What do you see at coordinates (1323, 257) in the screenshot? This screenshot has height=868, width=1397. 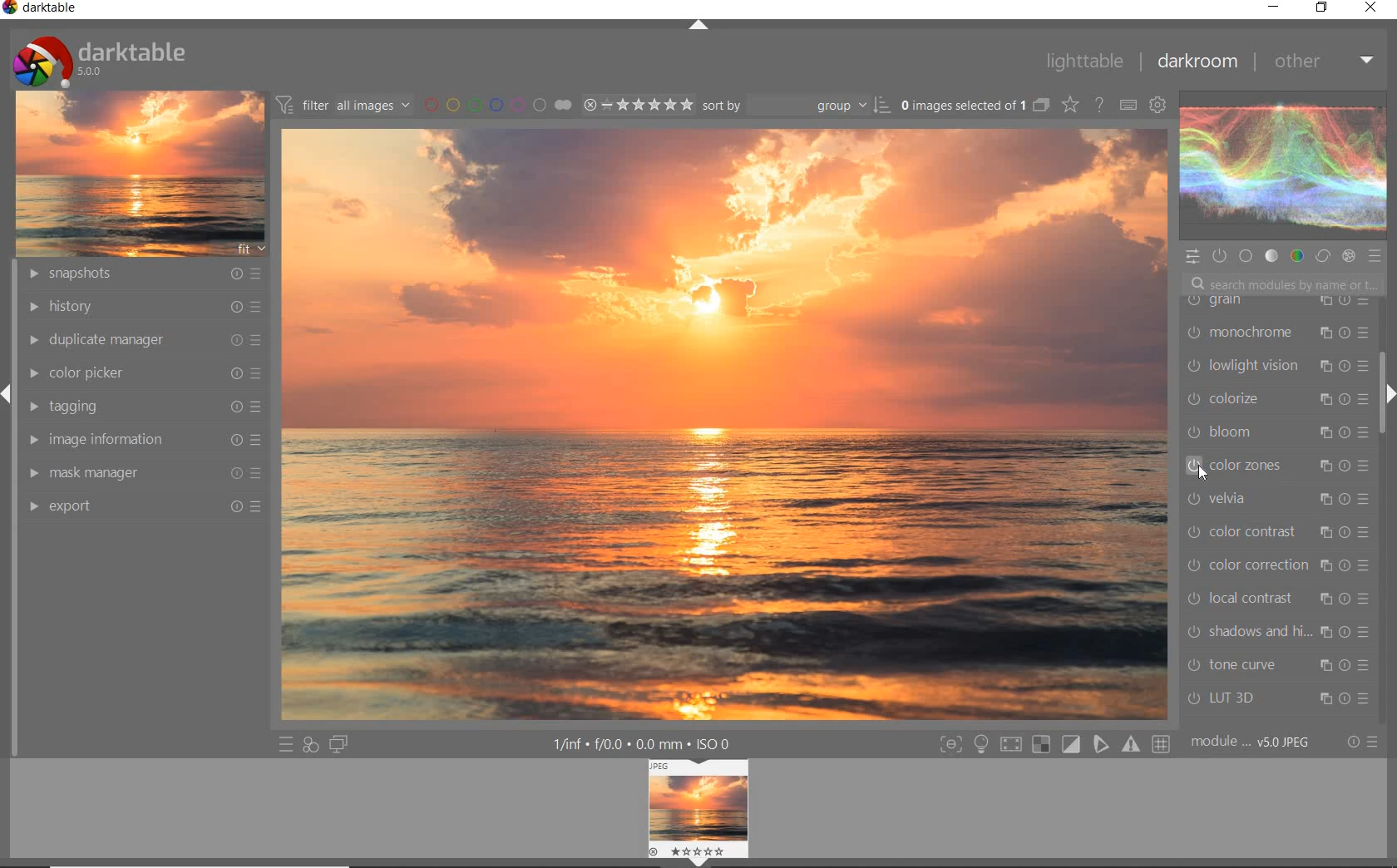 I see `CORRECT` at bounding box center [1323, 257].